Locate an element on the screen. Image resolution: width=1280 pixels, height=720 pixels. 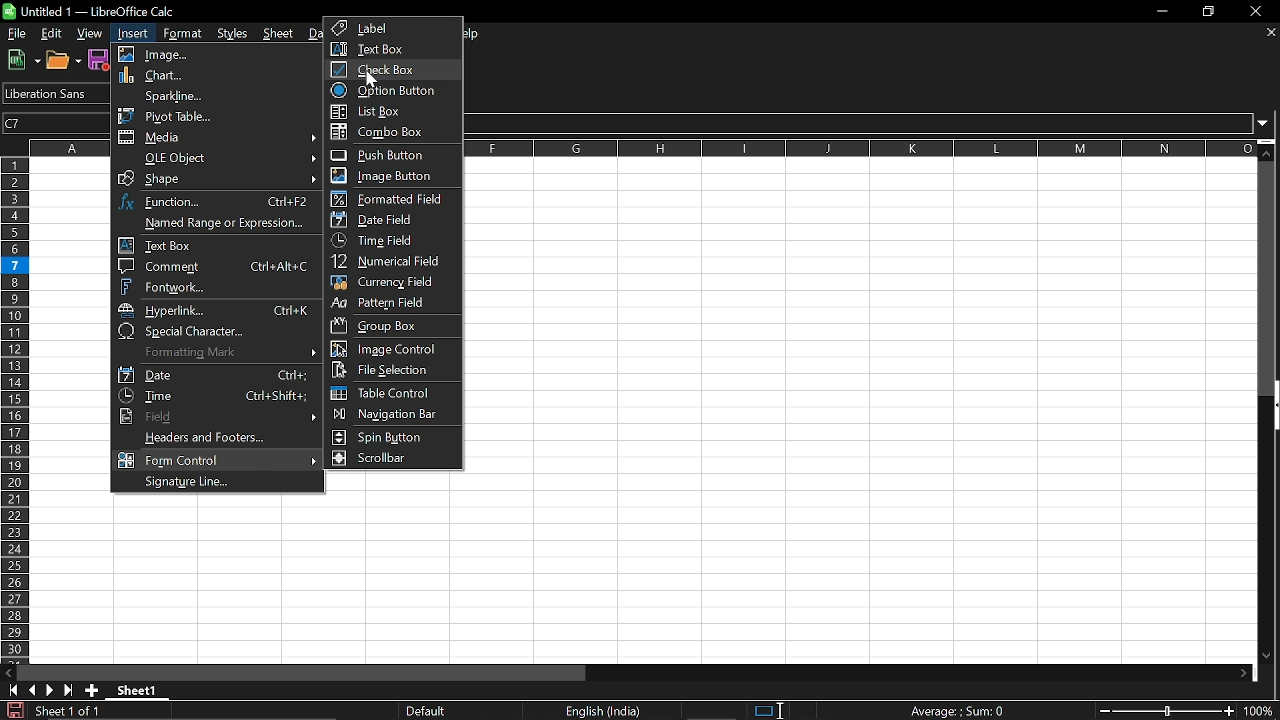
Styles is located at coordinates (235, 32).